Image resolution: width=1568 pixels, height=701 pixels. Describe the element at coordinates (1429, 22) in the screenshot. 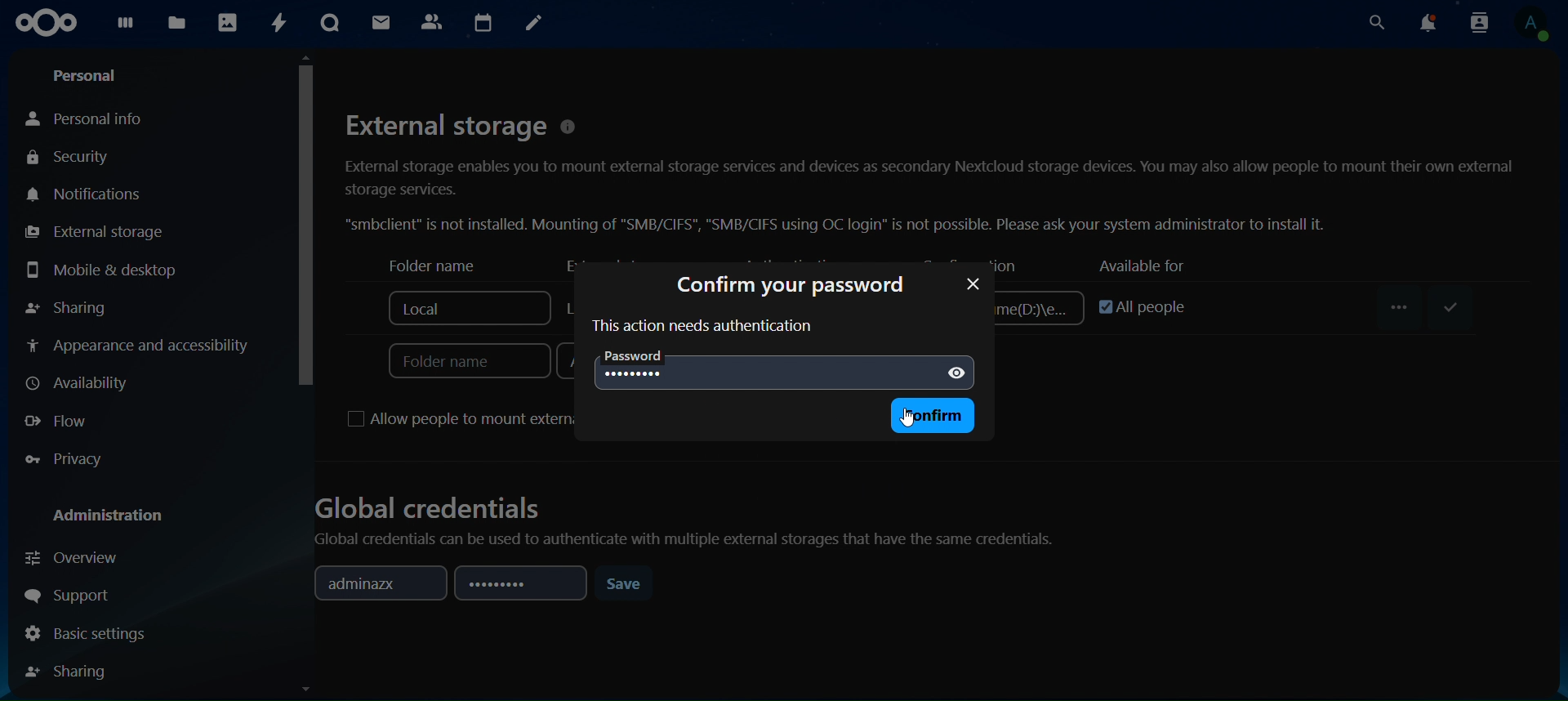

I see `notifications` at that location.